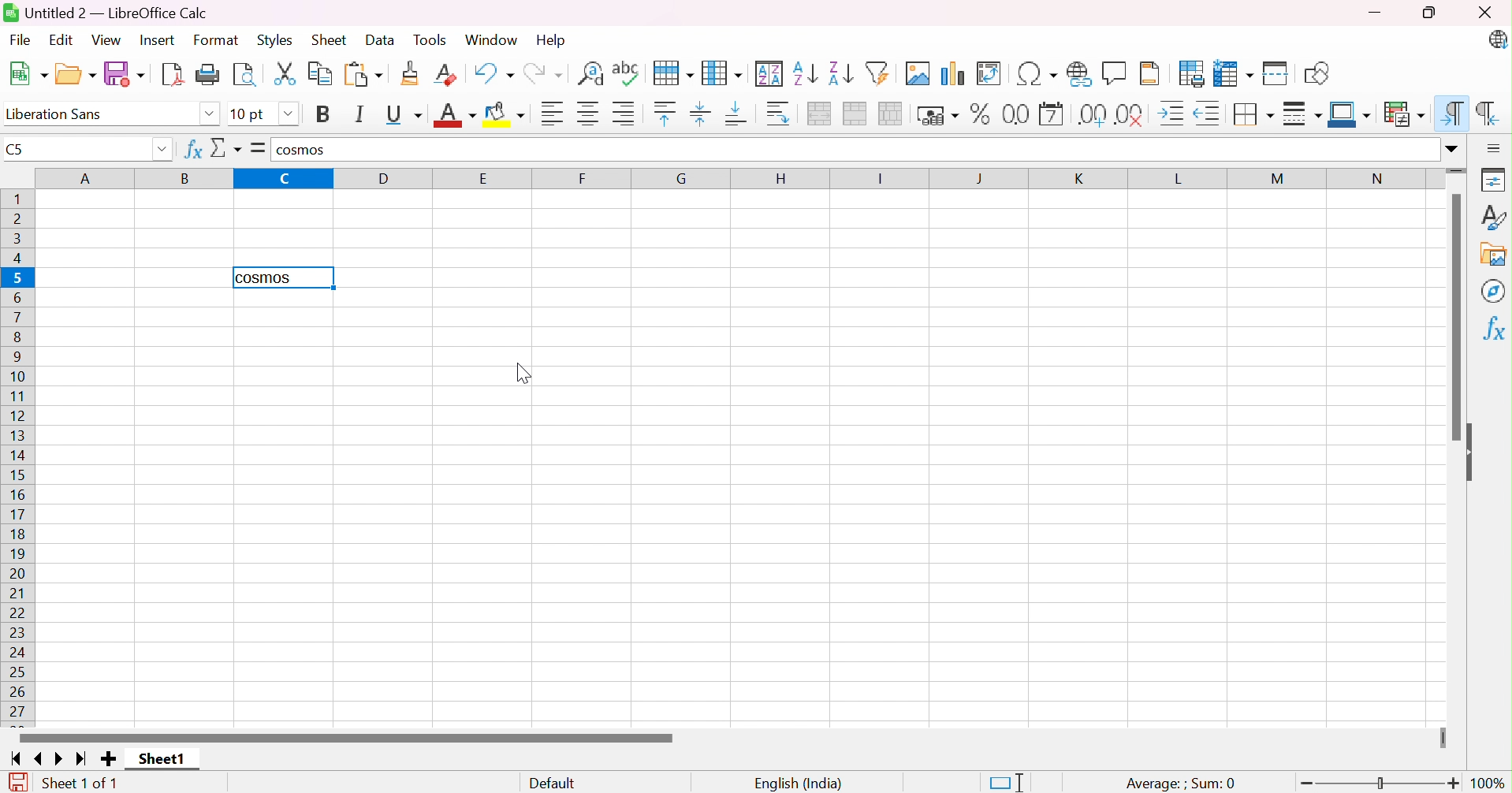 Image resolution: width=1512 pixels, height=793 pixels. I want to click on Right-To-Left, so click(1490, 115).